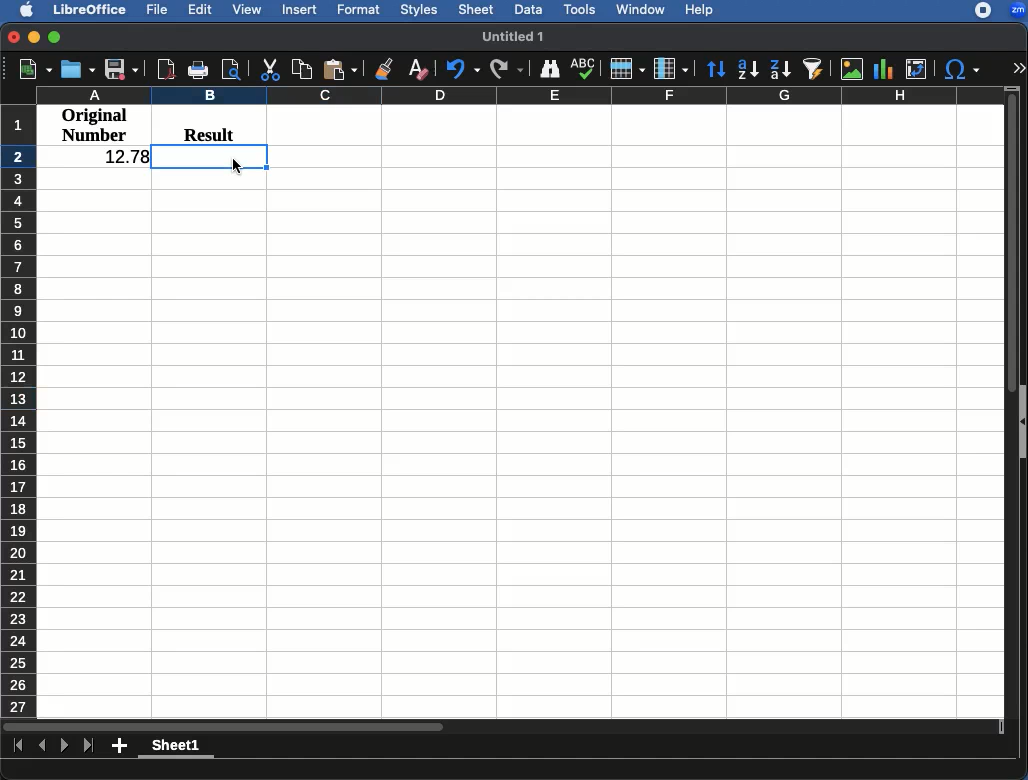  What do you see at coordinates (527, 8) in the screenshot?
I see `Data` at bounding box center [527, 8].